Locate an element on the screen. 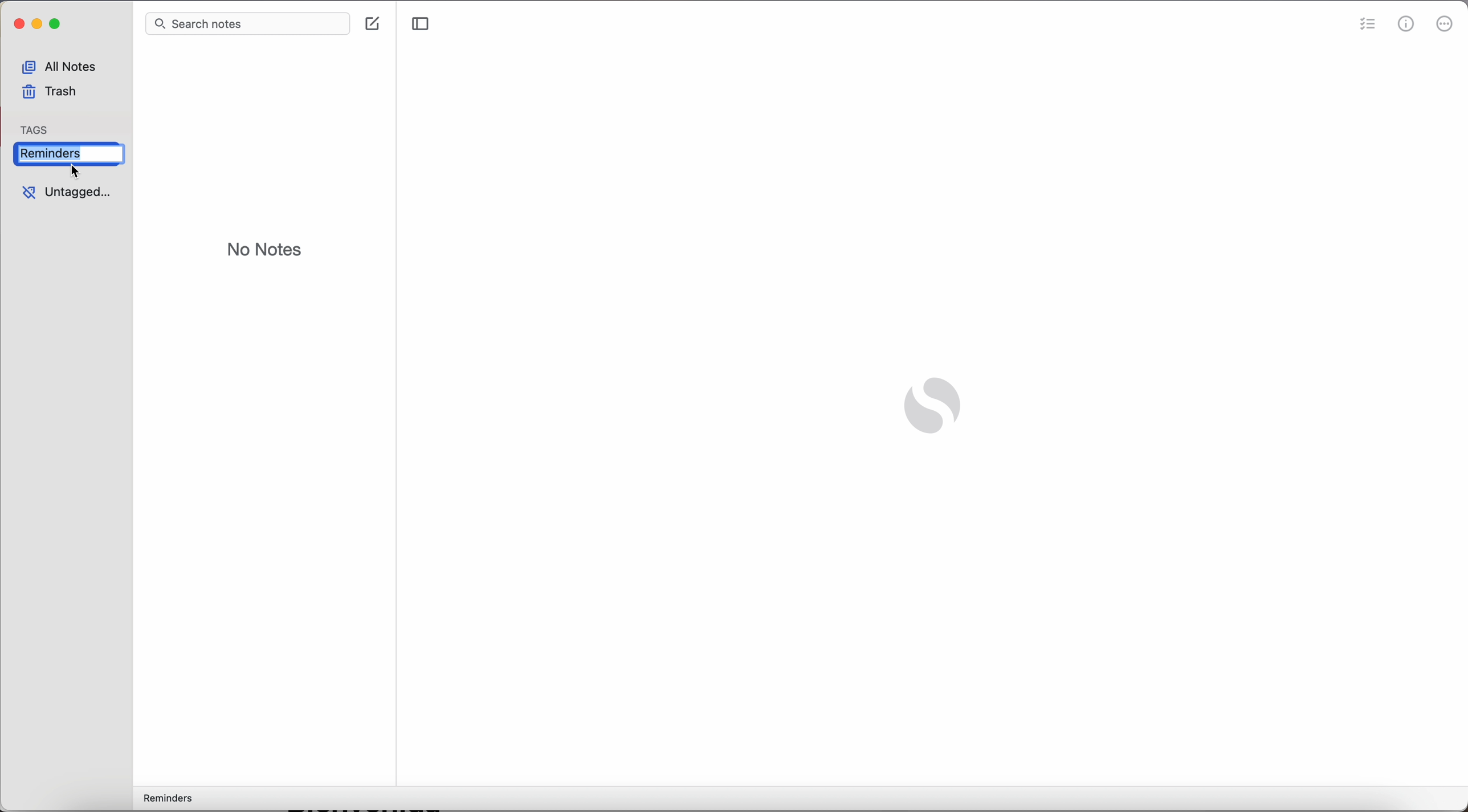 This screenshot has width=1468, height=812. close simplenote is located at coordinates (17, 26).